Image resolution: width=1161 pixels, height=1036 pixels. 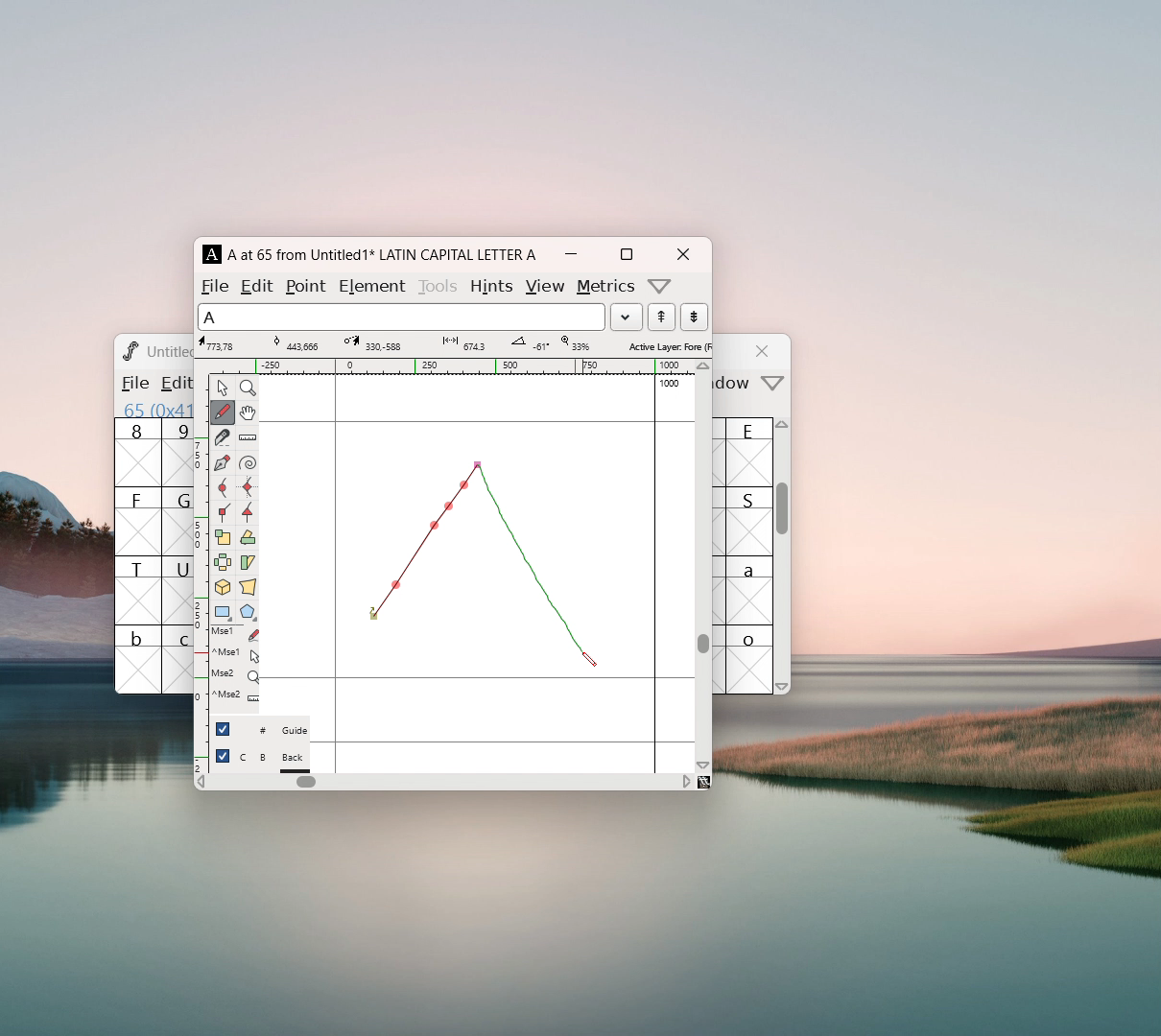 What do you see at coordinates (178, 660) in the screenshot?
I see `c` at bounding box center [178, 660].